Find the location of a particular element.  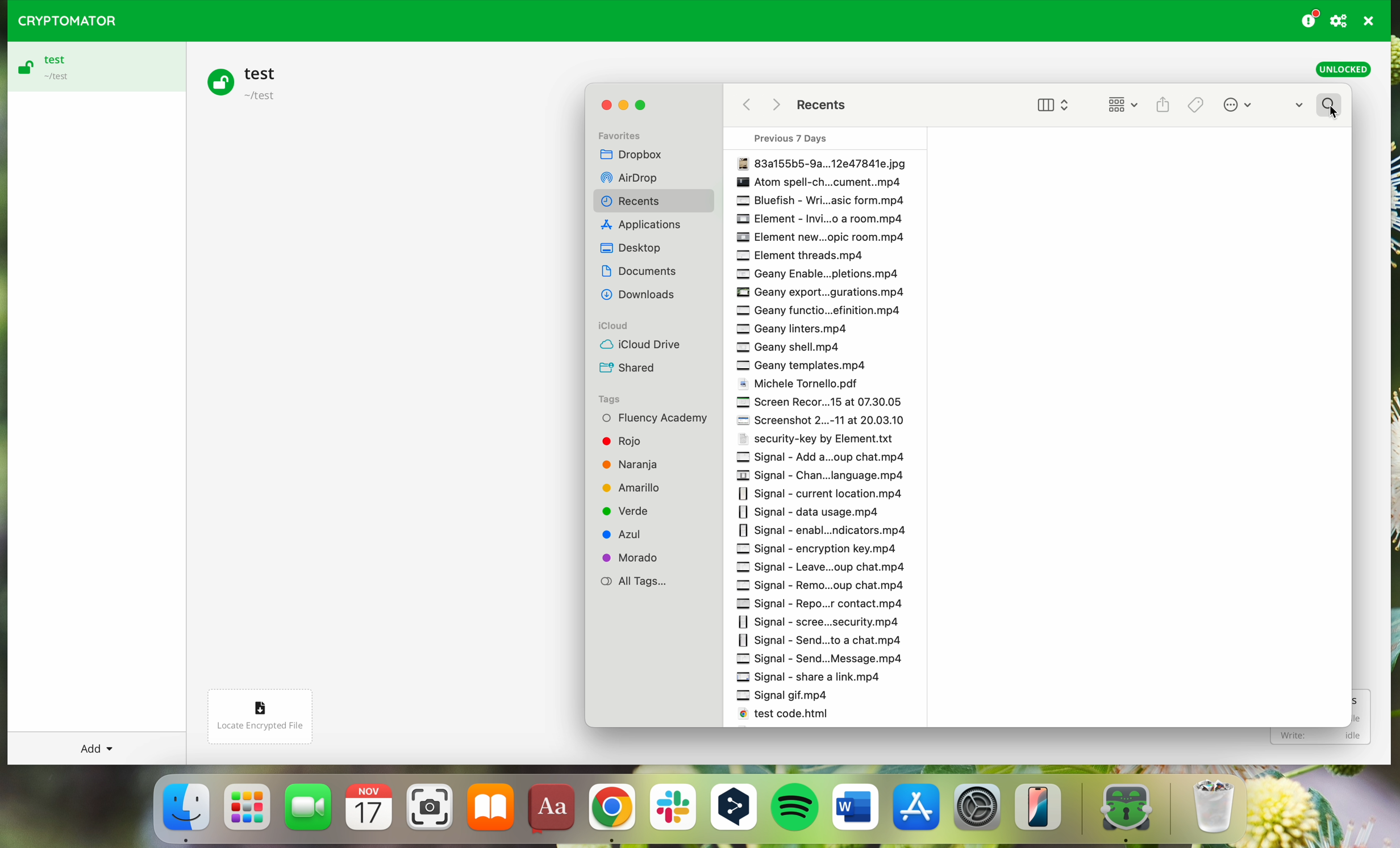

search is located at coordinates (1332, 106).